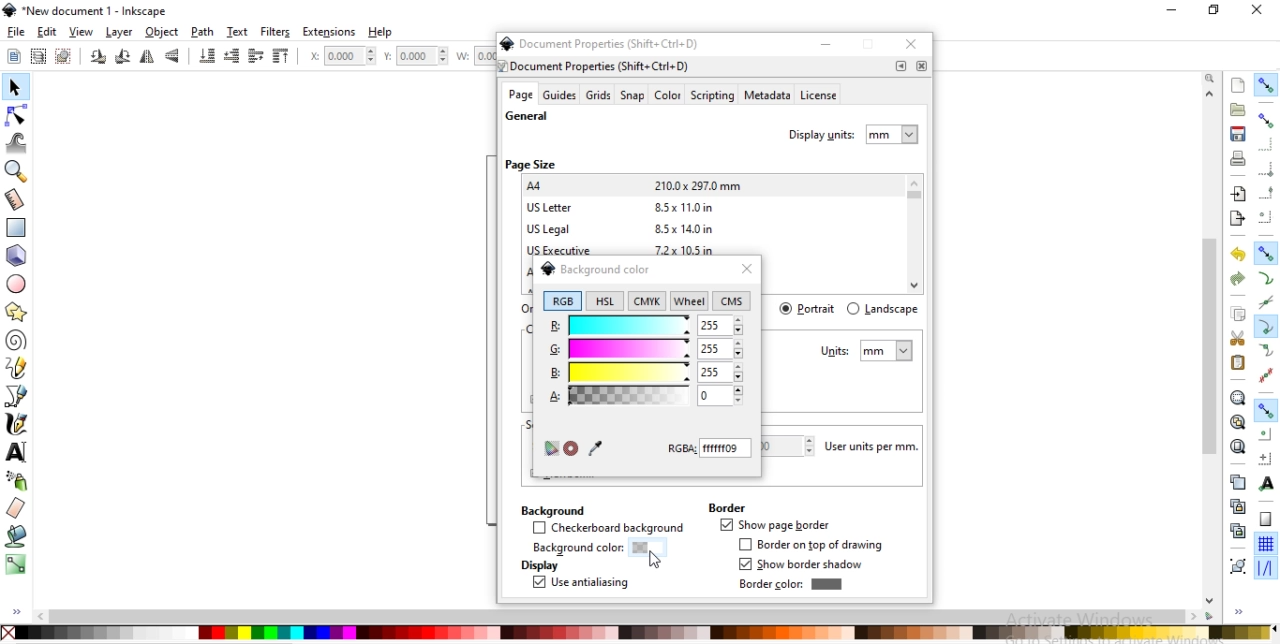  I want to click on undo, so click(1235, 255).